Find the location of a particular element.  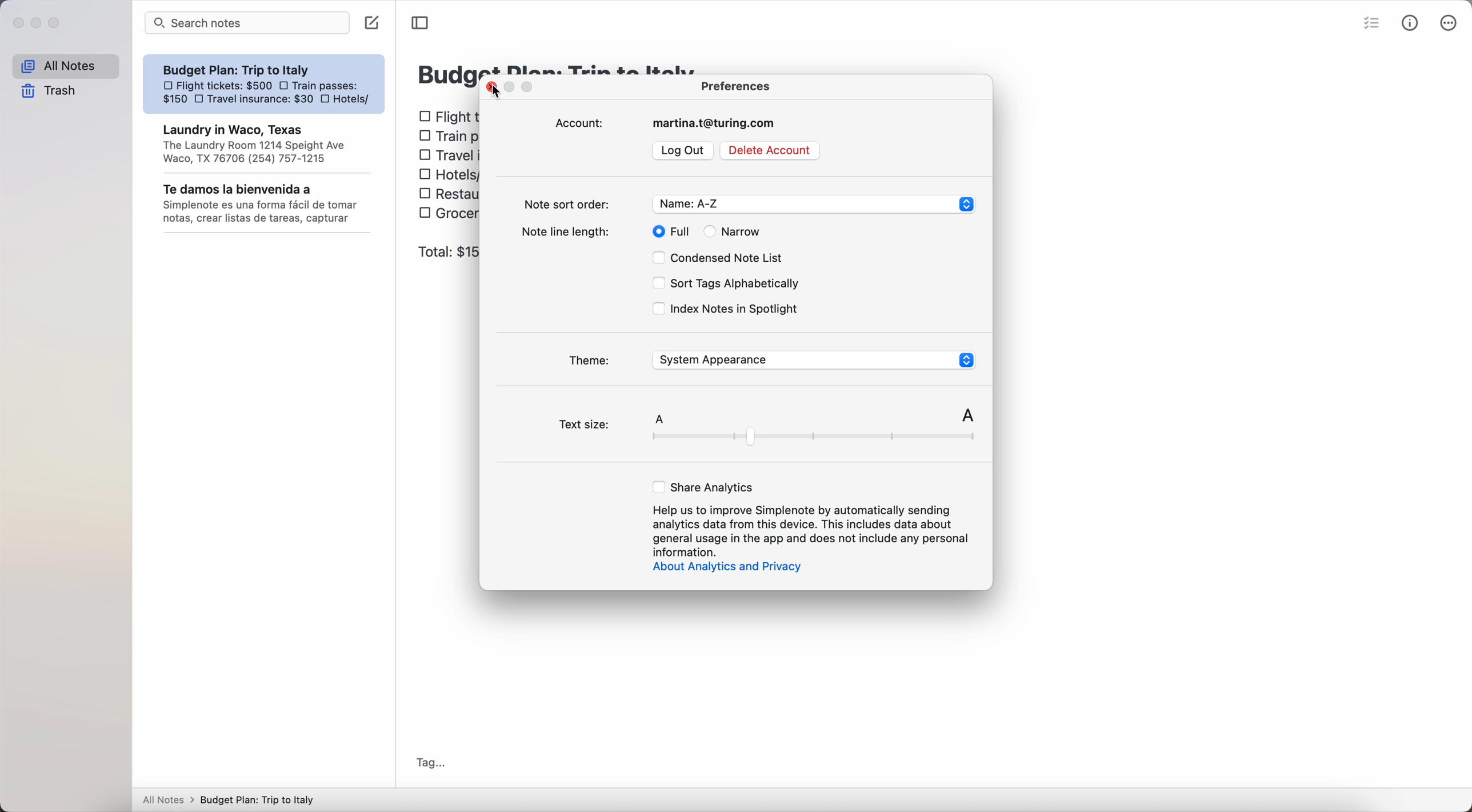

log out is located at coordinates (685, 150).